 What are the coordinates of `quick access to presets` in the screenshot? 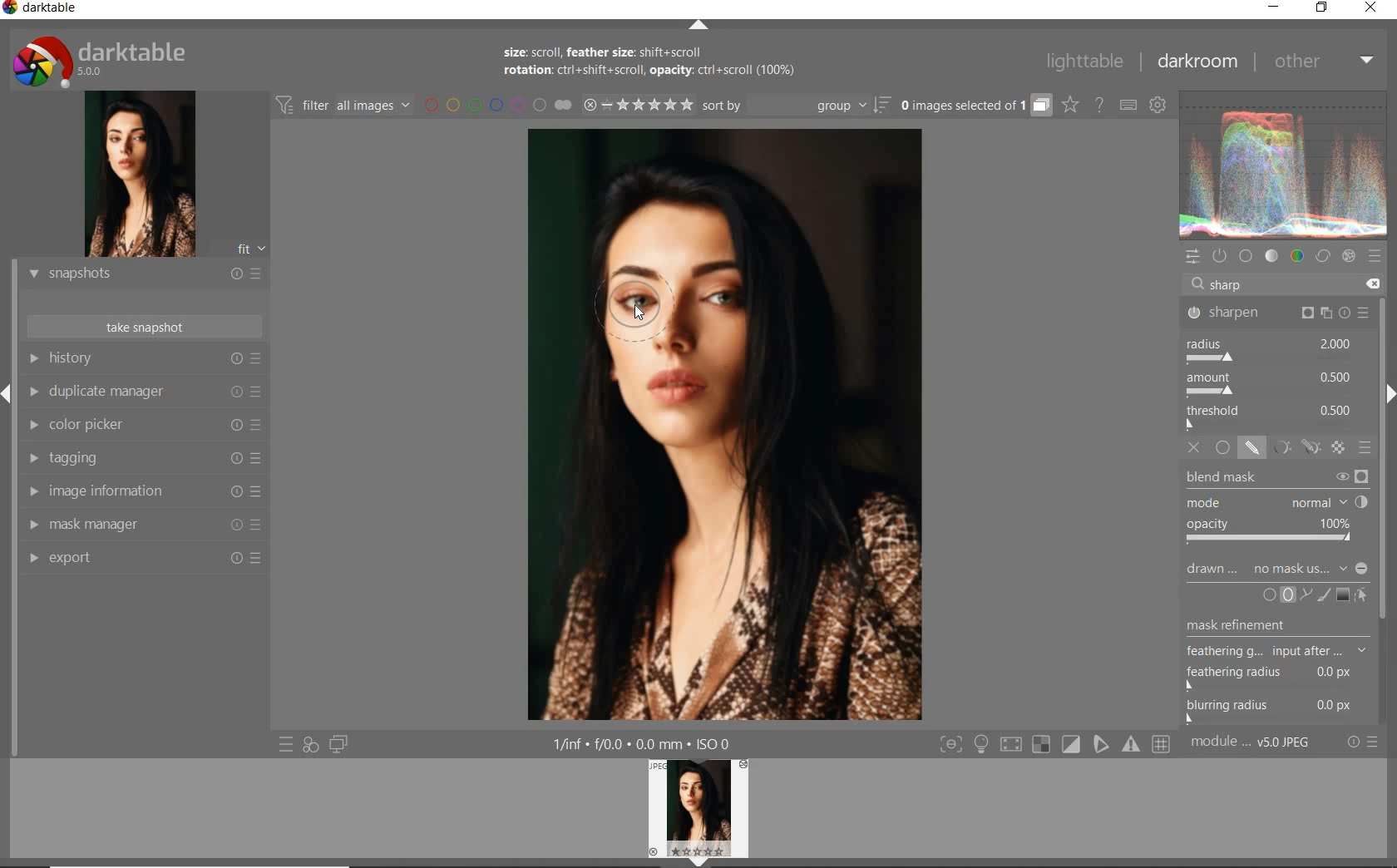 It's located at (287, 744).